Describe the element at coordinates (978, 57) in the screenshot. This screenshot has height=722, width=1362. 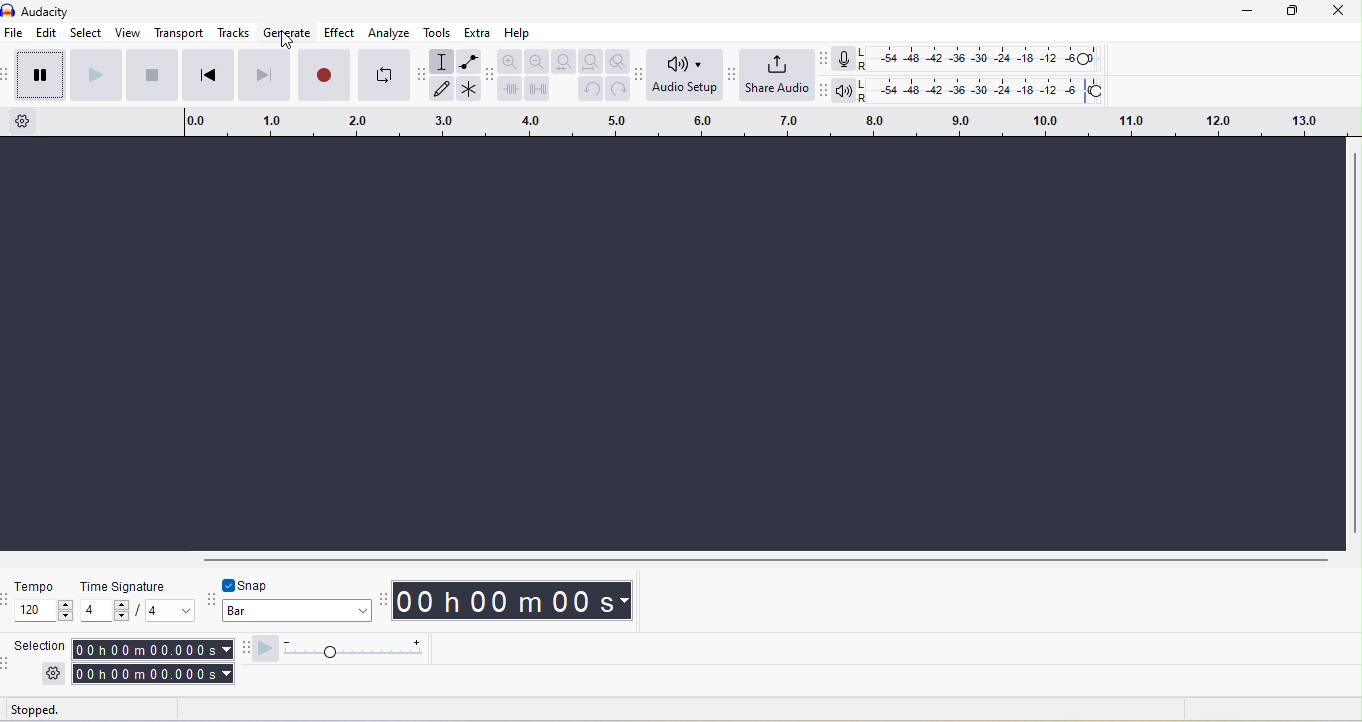
I see `recording level` at that location.